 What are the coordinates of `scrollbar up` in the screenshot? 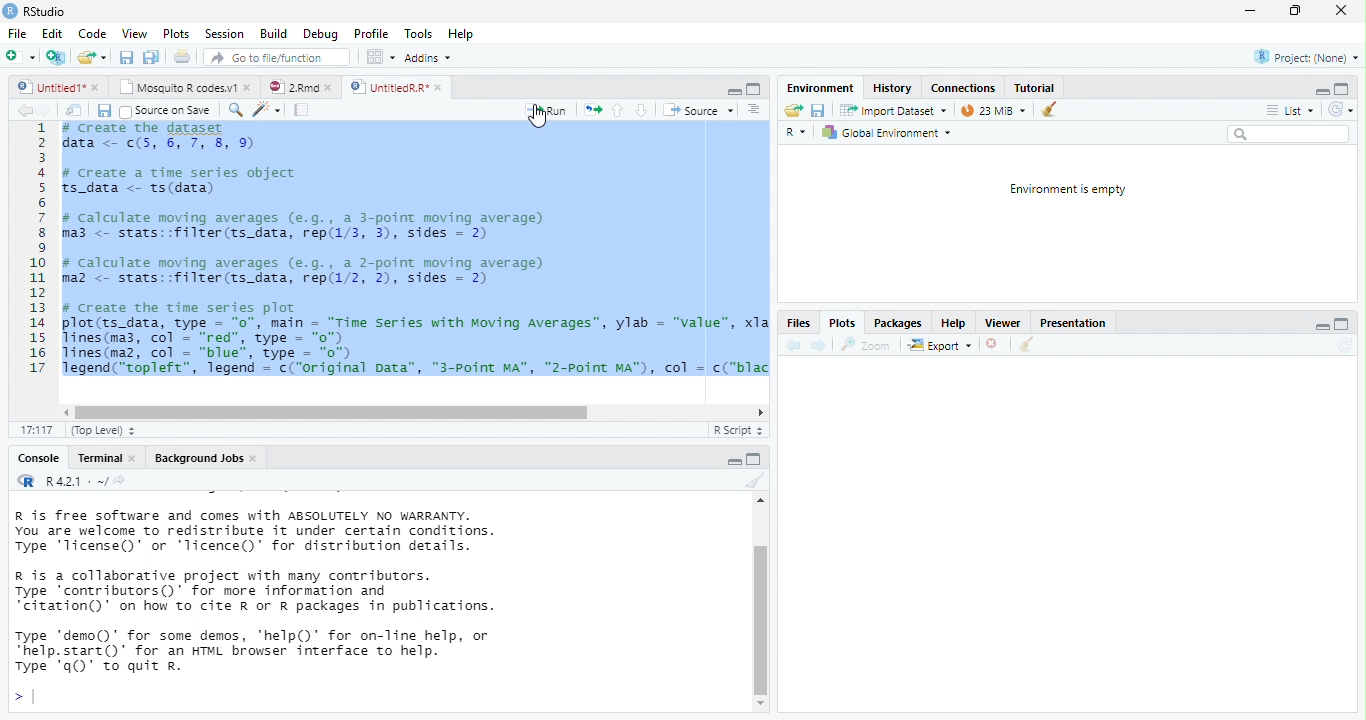 It's located at (758, 503).